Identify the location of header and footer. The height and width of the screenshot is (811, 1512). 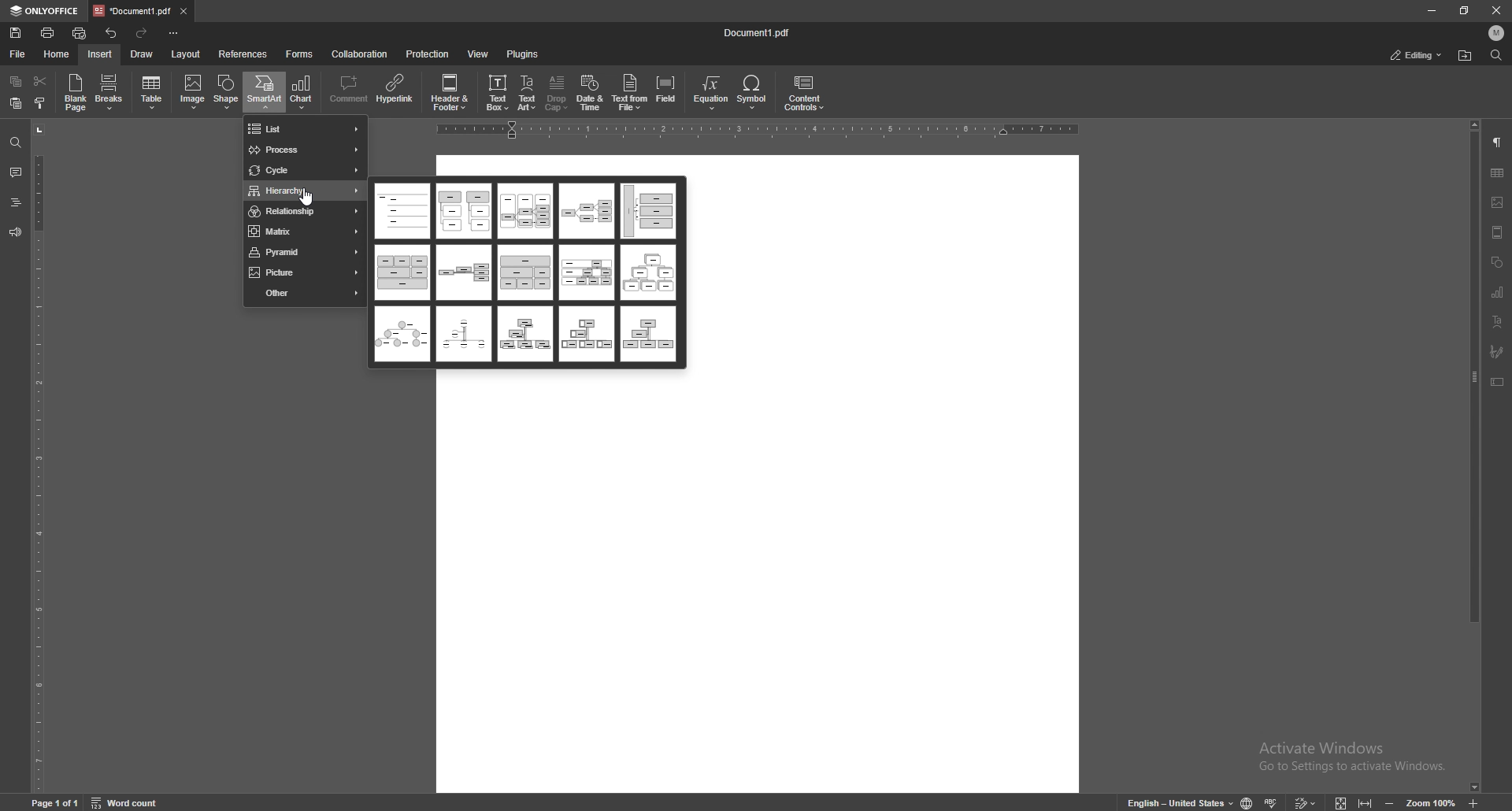
(1499, 233).